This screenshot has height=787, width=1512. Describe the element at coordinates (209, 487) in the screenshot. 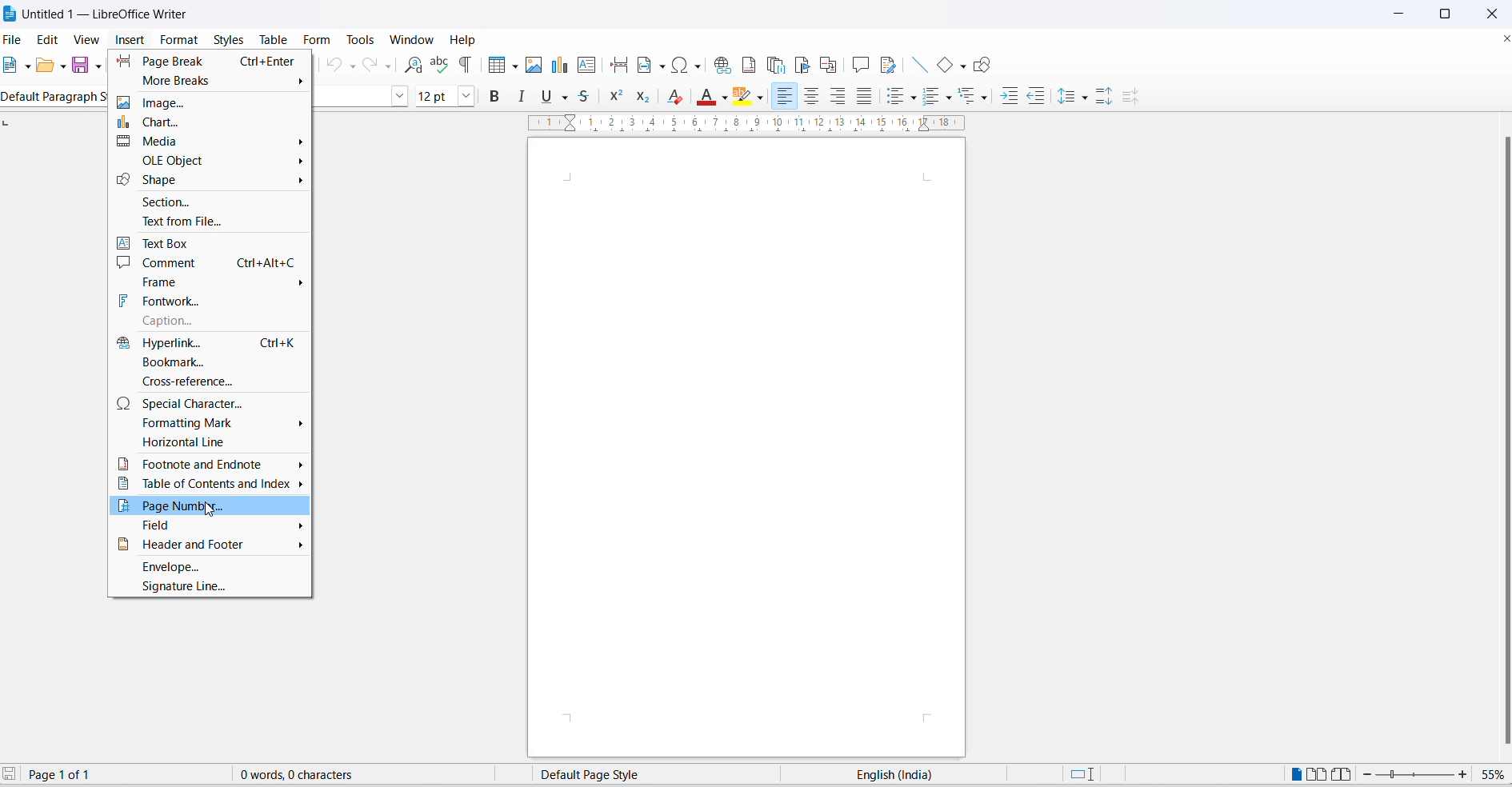

I see `table of contents and index` at that location.